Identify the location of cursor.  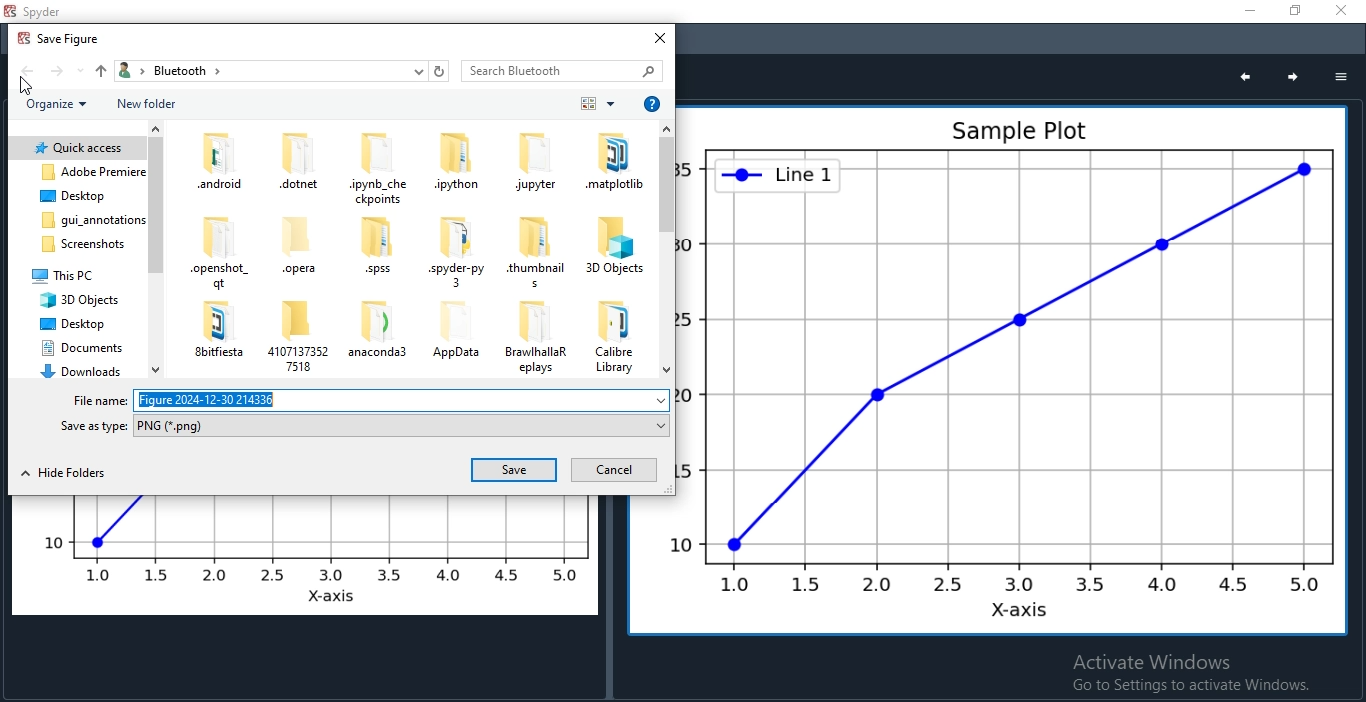
(28, 86).